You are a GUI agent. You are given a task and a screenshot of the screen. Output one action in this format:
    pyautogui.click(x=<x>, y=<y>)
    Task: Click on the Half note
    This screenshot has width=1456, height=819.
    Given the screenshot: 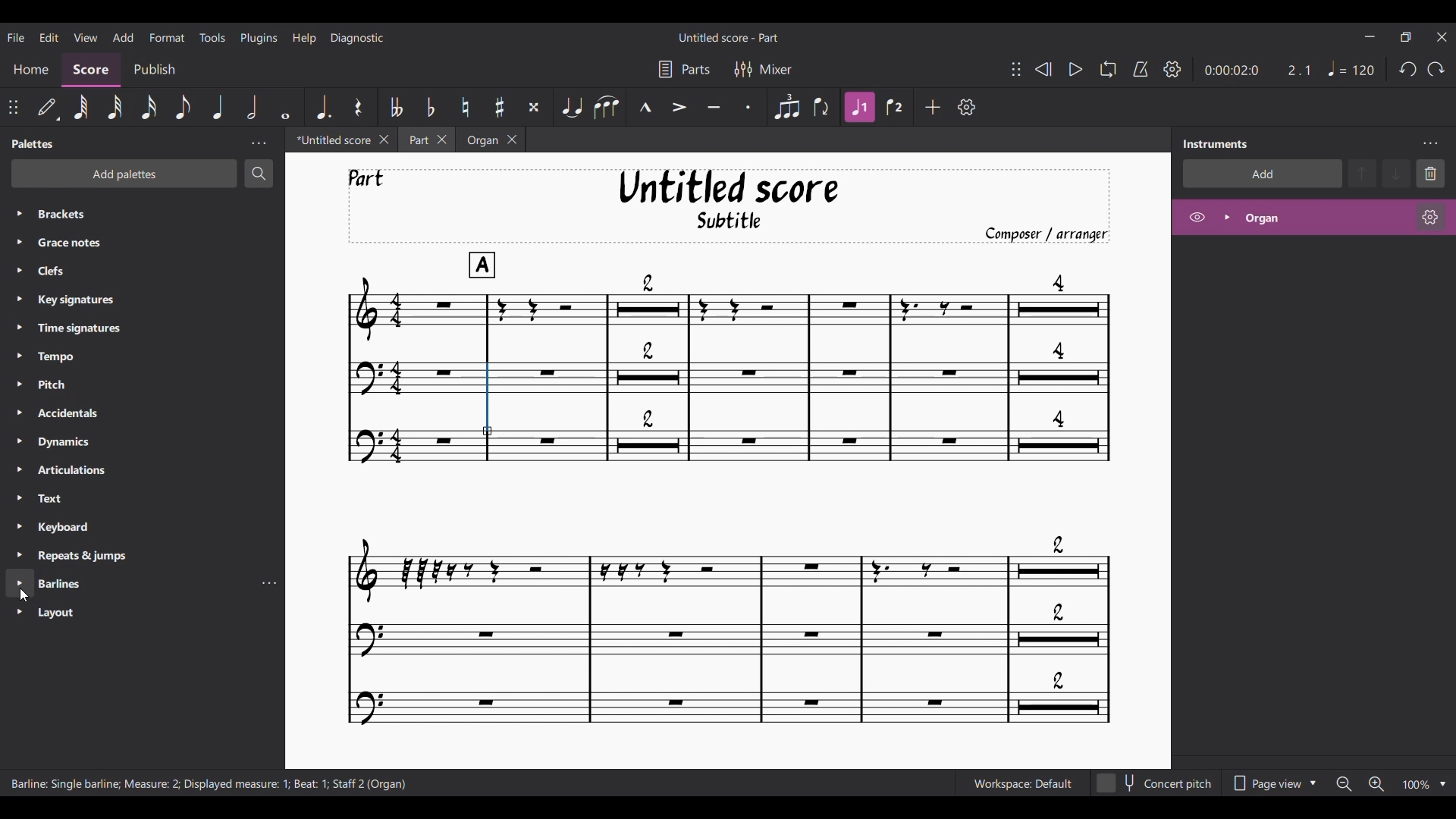 What is the action you would take?
    pyautogui.click(x=252, y=106)
    